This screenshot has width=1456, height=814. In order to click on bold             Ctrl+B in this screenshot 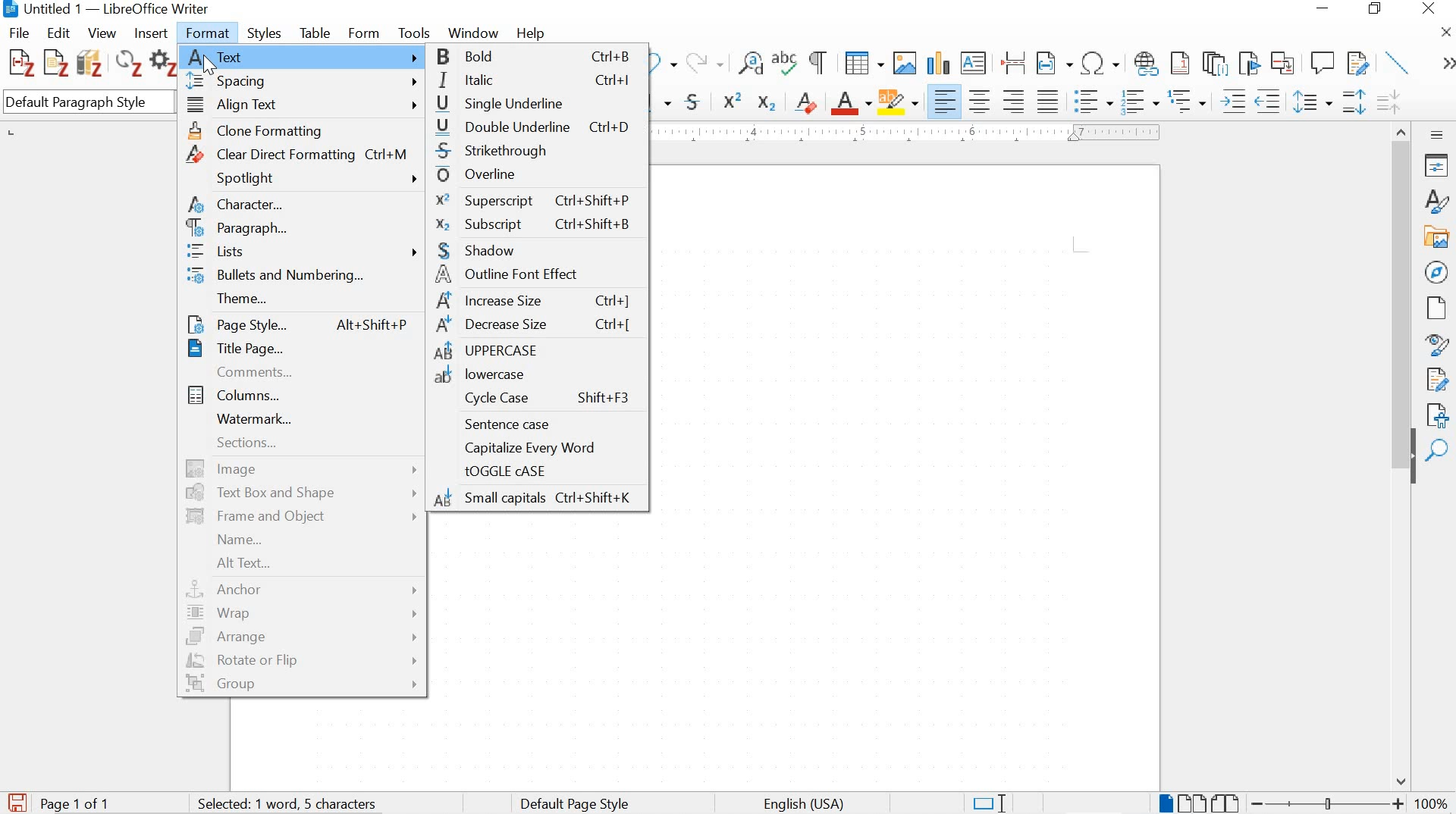, I will do `click(539, 58)`.